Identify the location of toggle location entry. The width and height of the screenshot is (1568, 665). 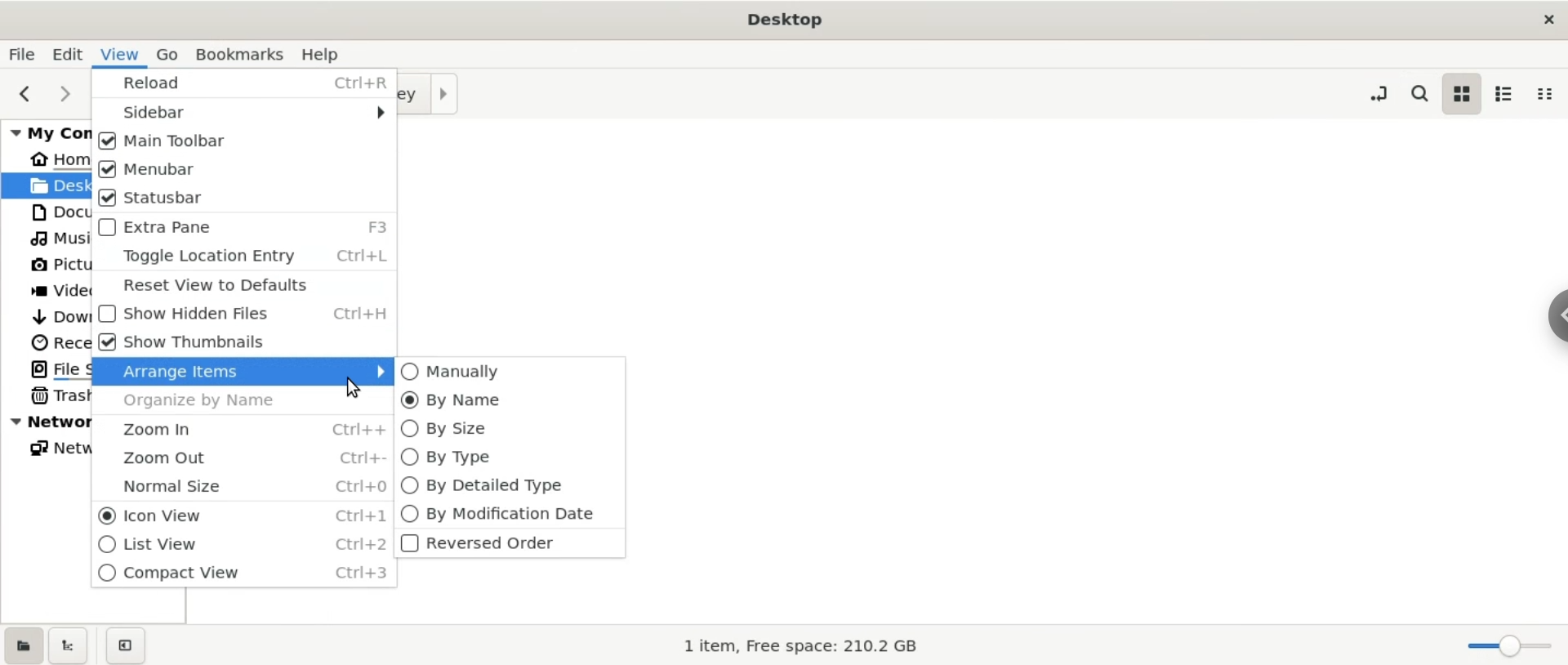
(1379, 91).